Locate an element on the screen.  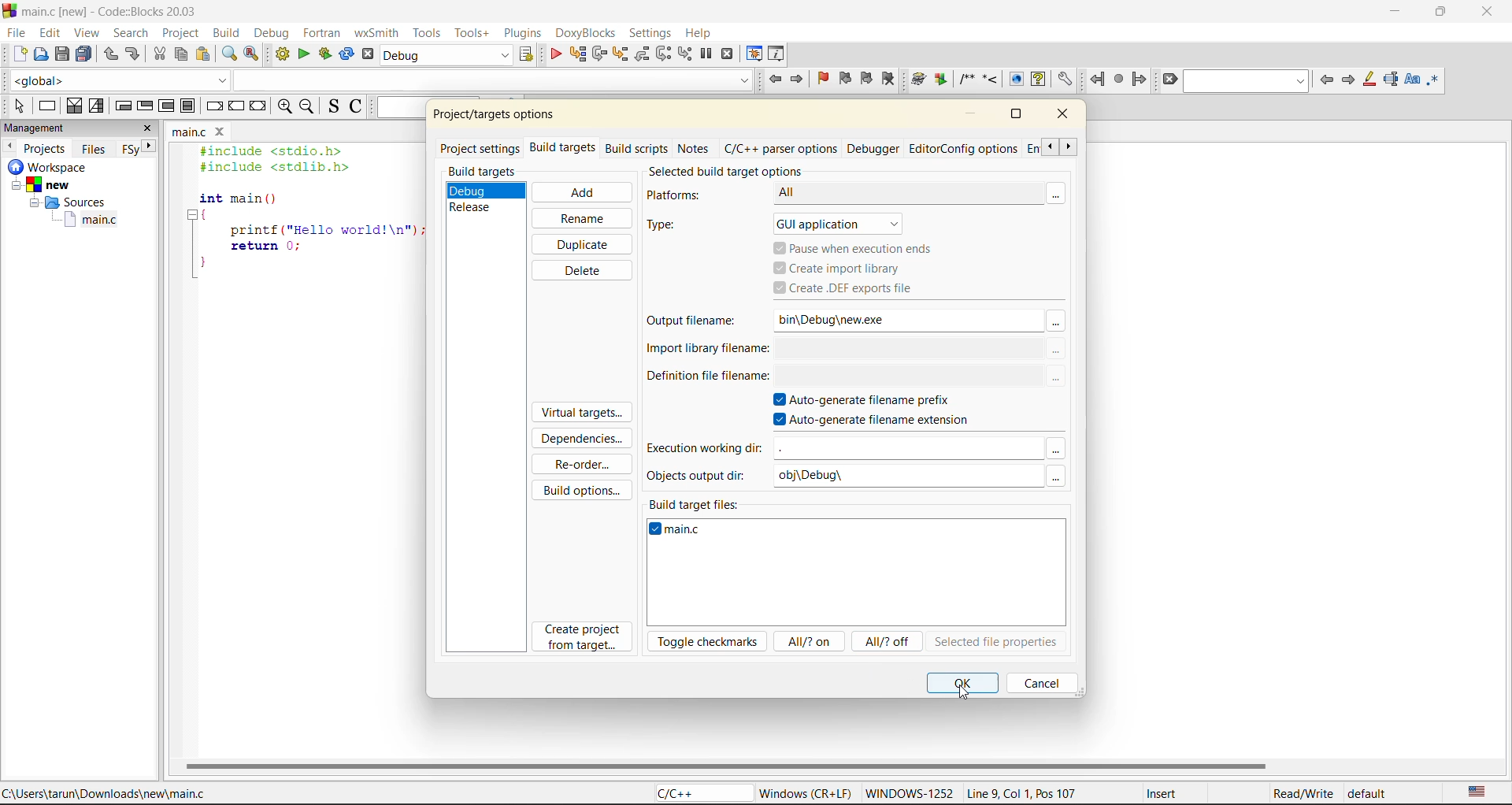
zoom in is located at coordinates (283, 109).